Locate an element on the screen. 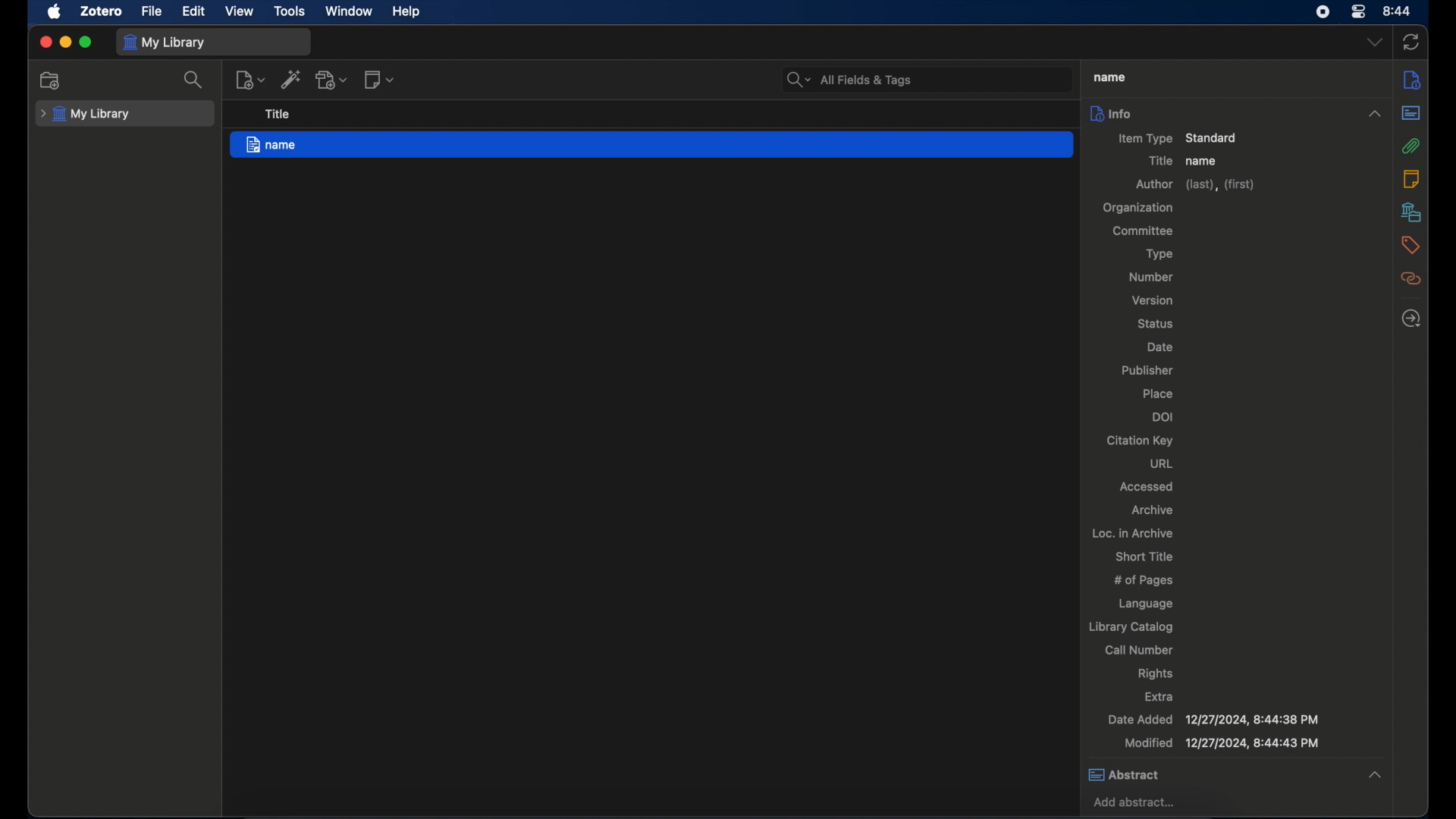 The height and width of the screenshot is (819, 1456). title is located at coordinates (1159, 161).